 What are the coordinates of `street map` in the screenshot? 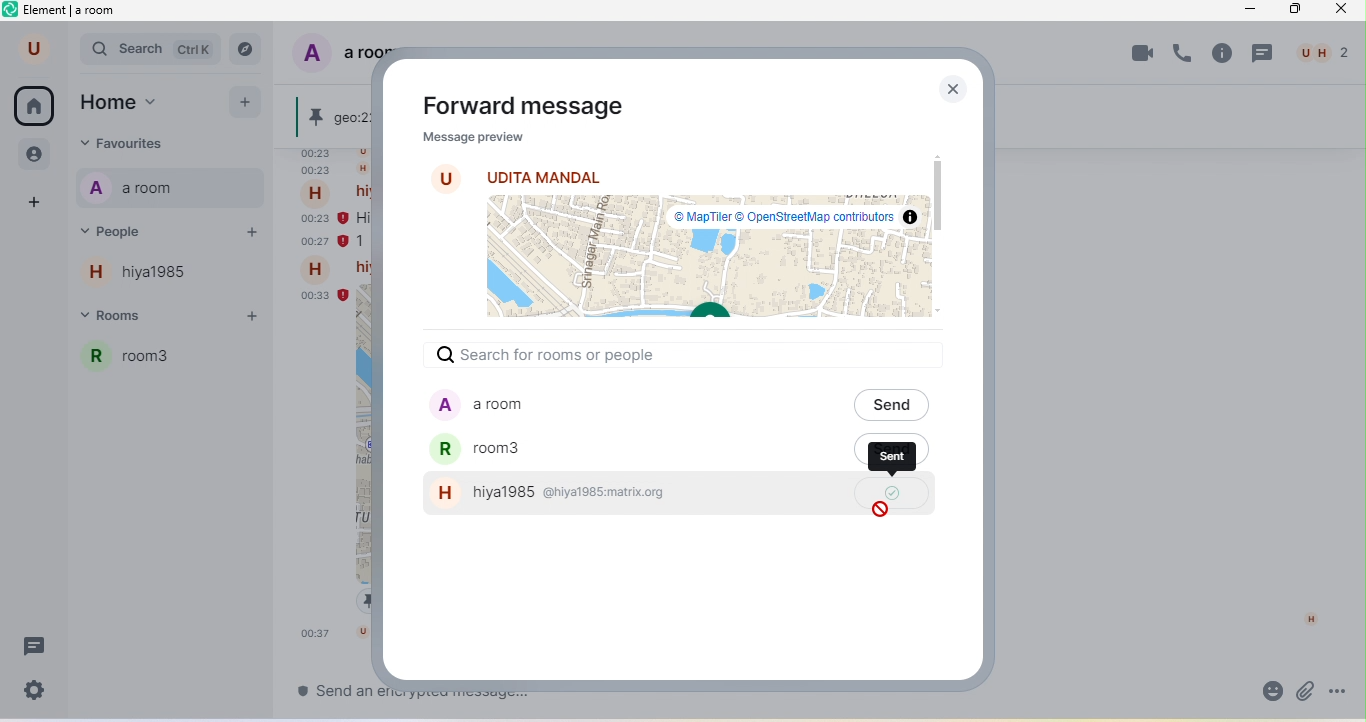 It's located at (705, 260).